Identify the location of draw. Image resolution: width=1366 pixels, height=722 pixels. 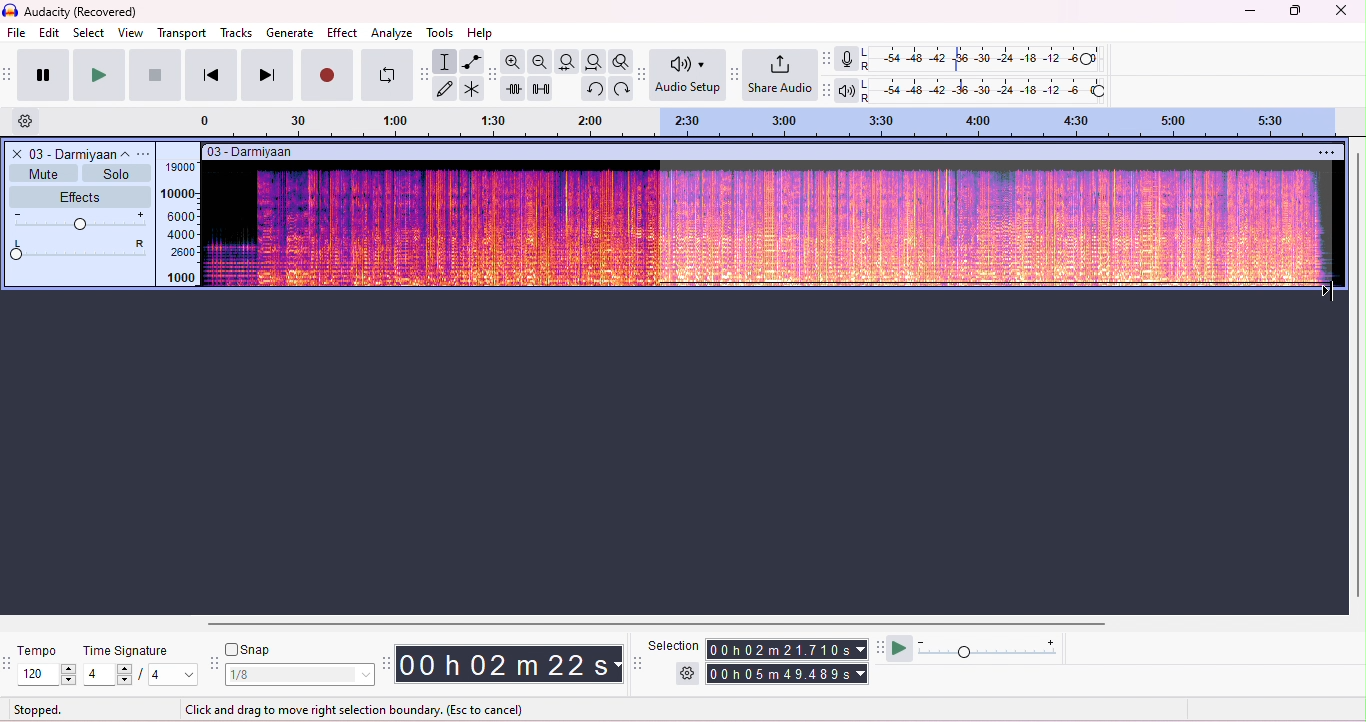
(447, 89).